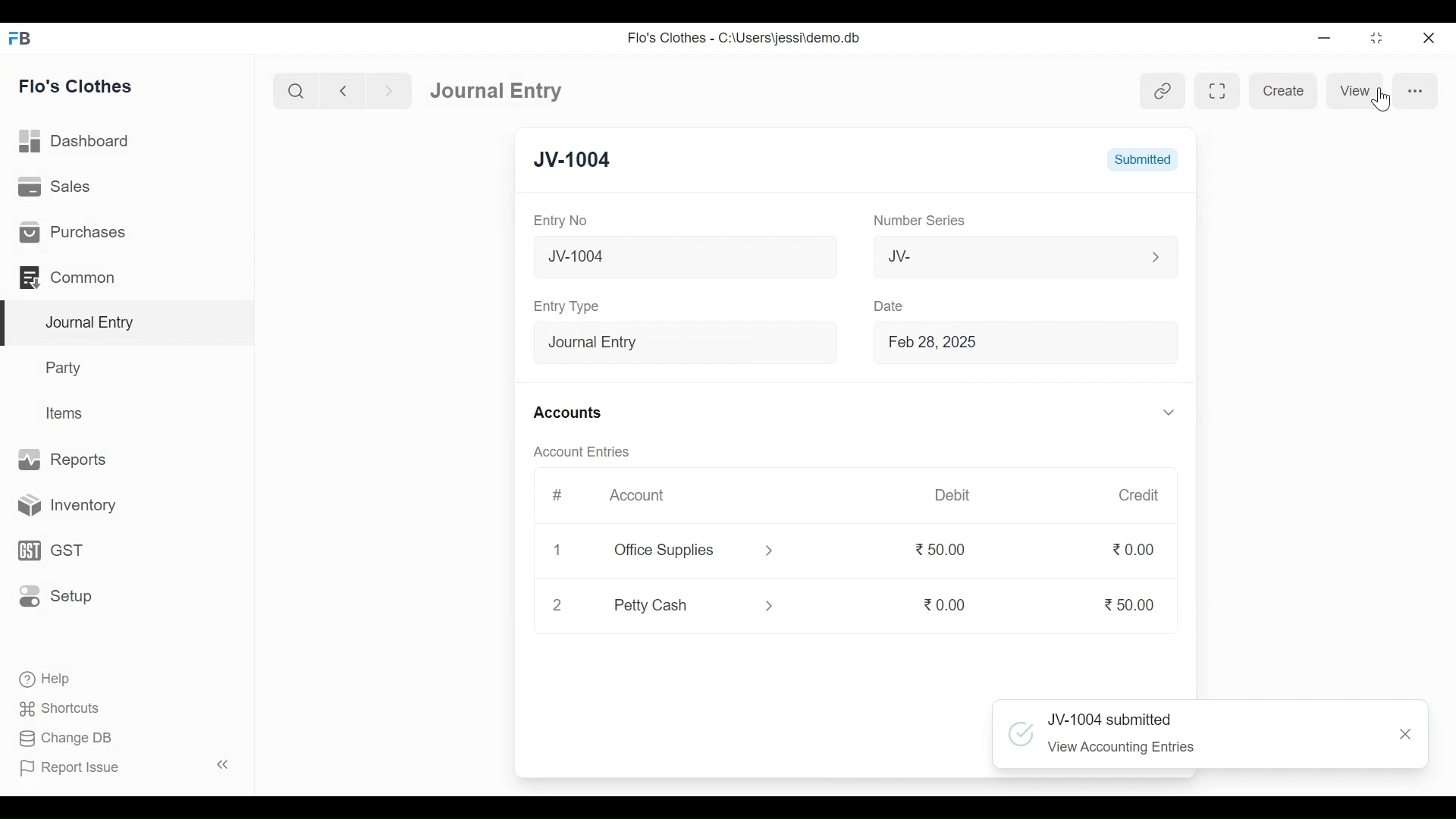  I want to click on Entry Type, so click(570, 306).